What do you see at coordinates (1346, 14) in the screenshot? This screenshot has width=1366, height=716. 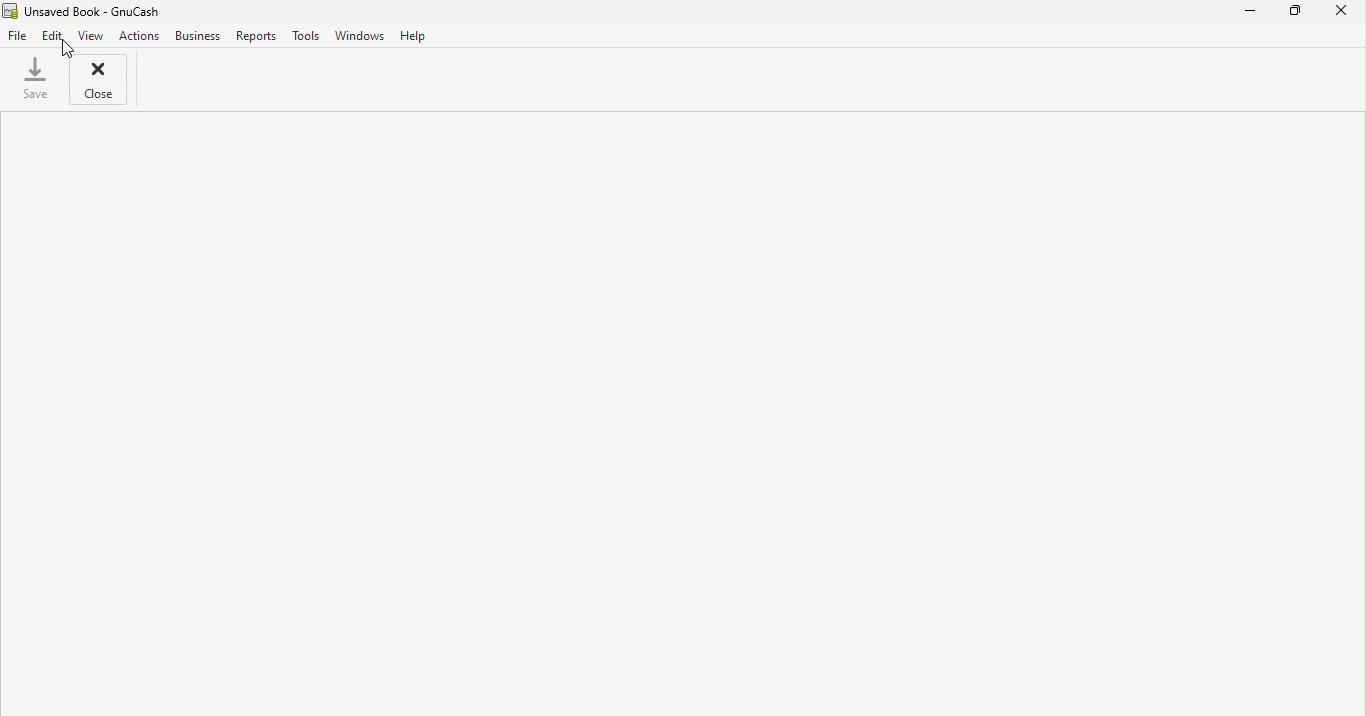 I see `Close` at bounding box center [1346, 14].